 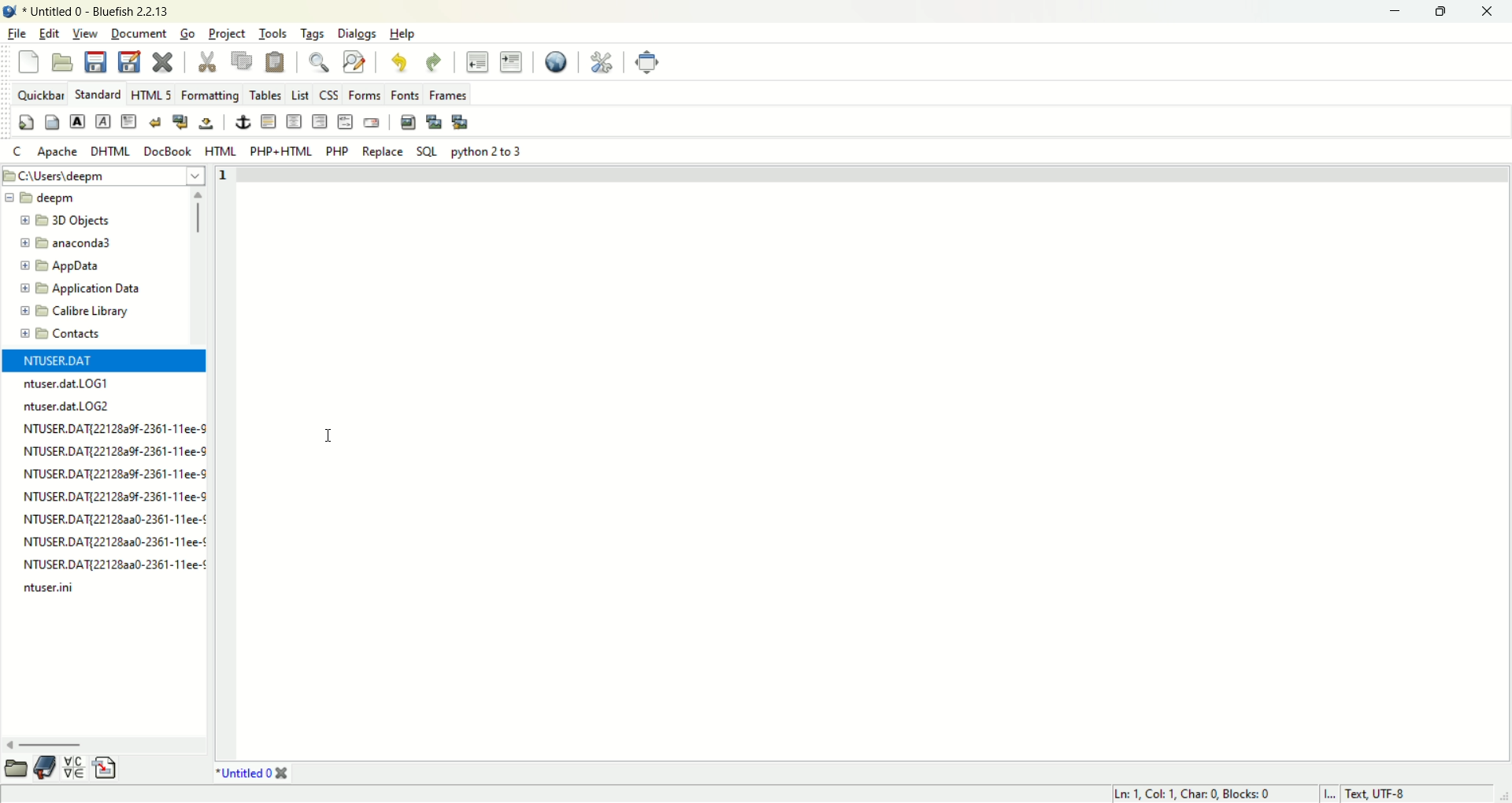 What do you see at coordinates (354, 64) in the screenshot?
I see `find and replace` at bounding box center [354, 64].